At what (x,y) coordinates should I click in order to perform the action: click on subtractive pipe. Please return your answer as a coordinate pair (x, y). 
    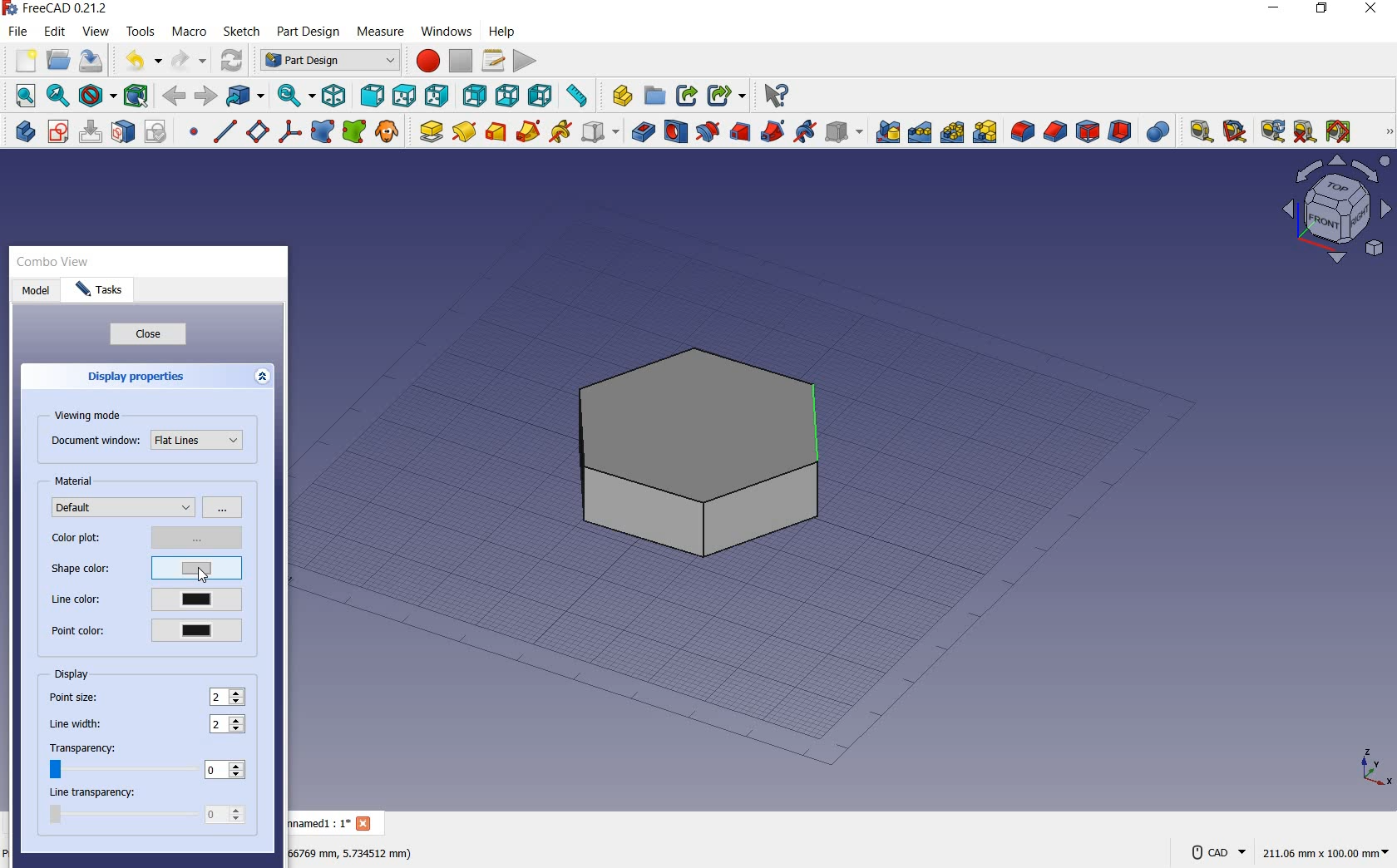
    Looking at the image, I should click on (773, 132).